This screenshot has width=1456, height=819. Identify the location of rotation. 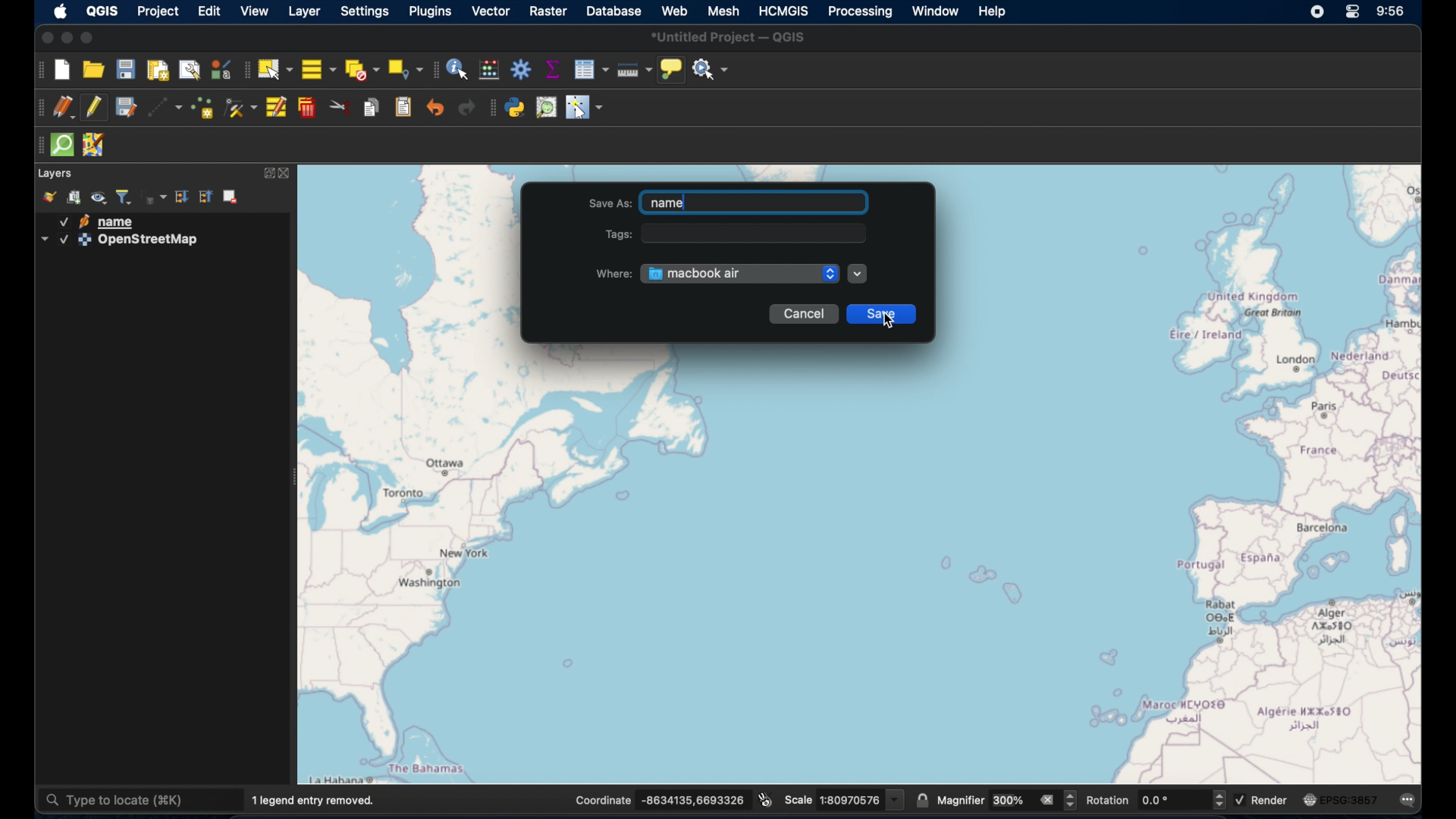
(1154, 800).